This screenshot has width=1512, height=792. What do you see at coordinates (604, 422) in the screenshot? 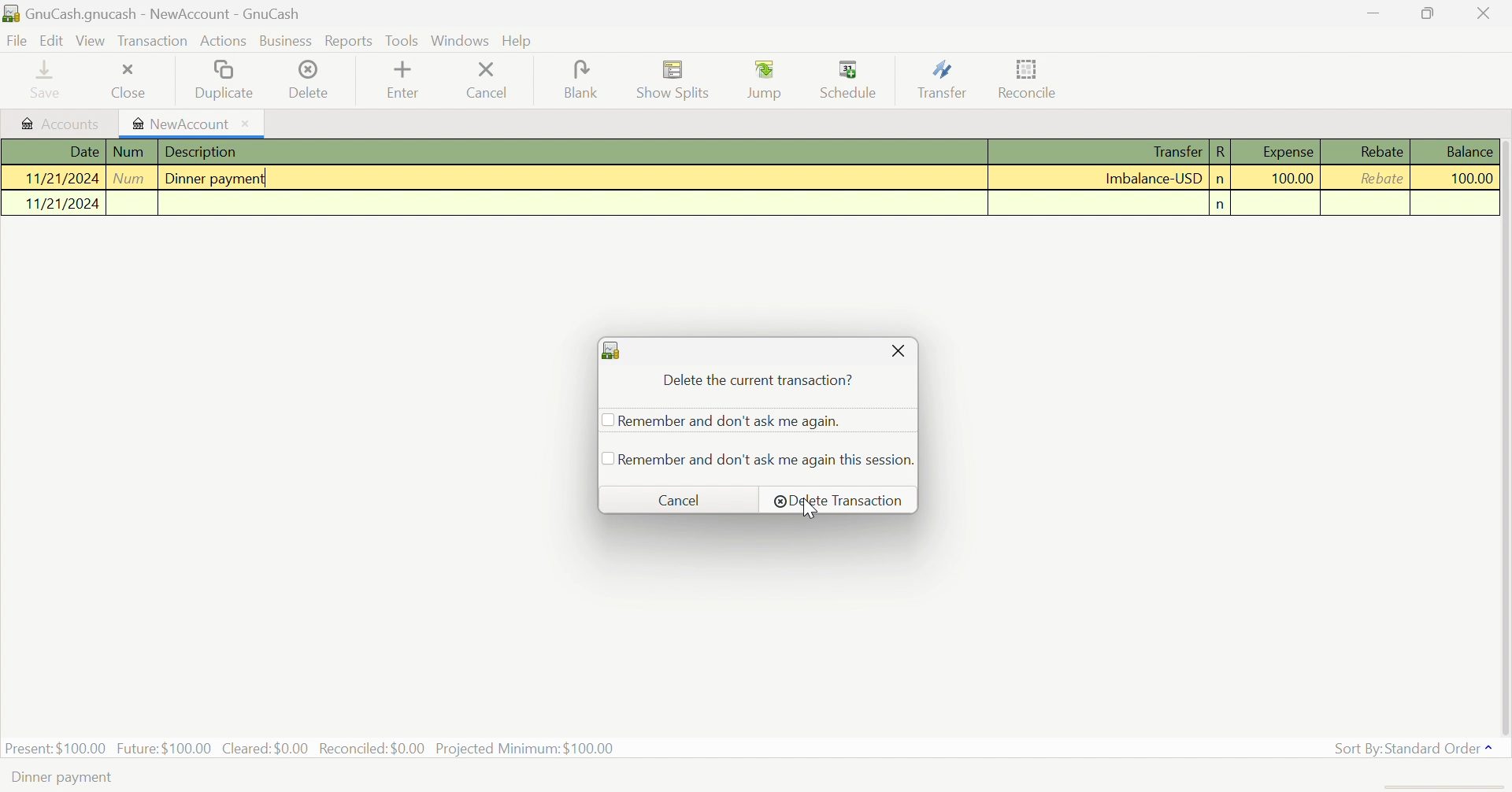
I see `Checkbox` at bounding box center [604, 422].